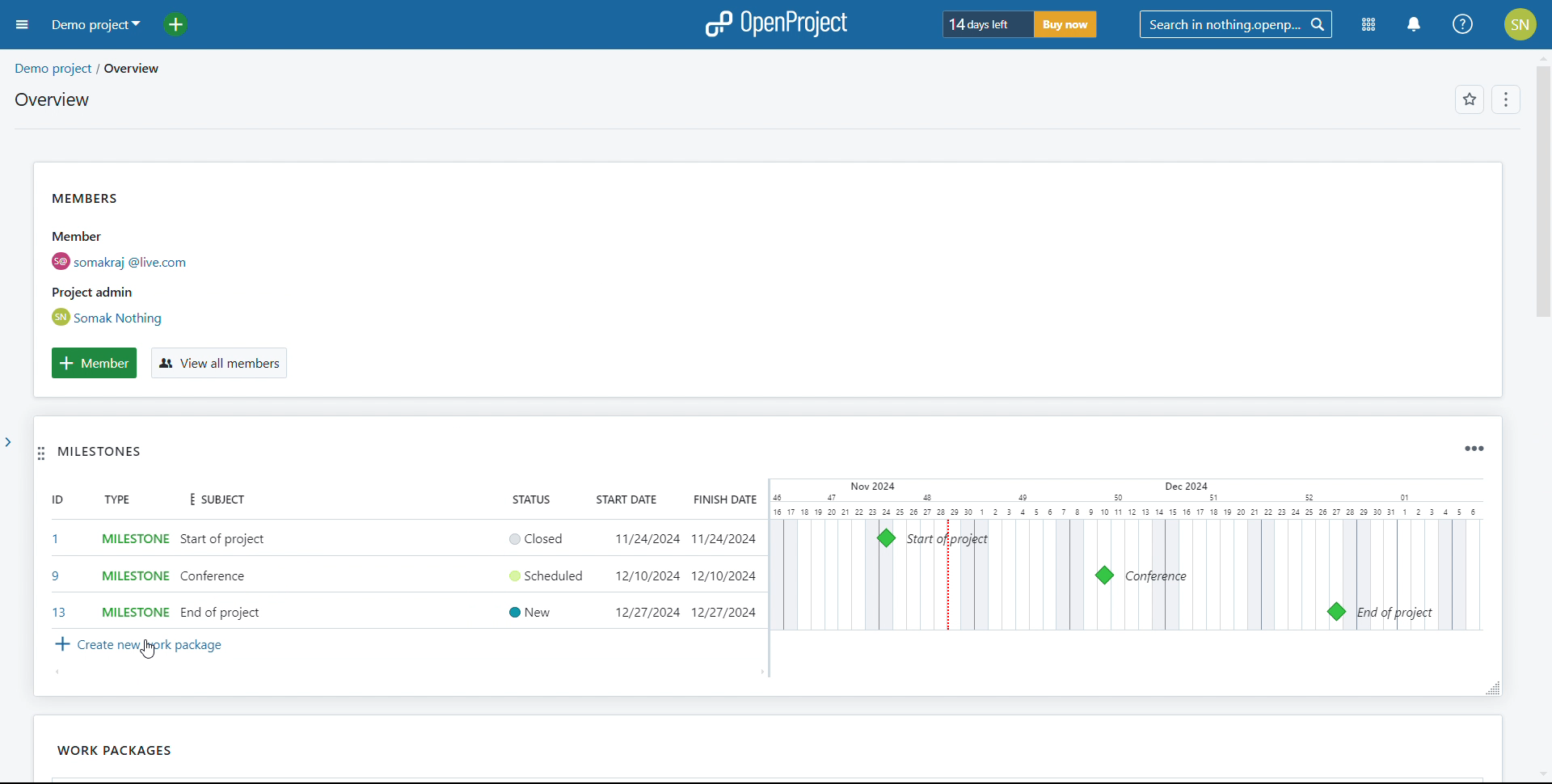  Describe the element at coordinates (94, 24) in the screenshot. I see `demo project` at that location.